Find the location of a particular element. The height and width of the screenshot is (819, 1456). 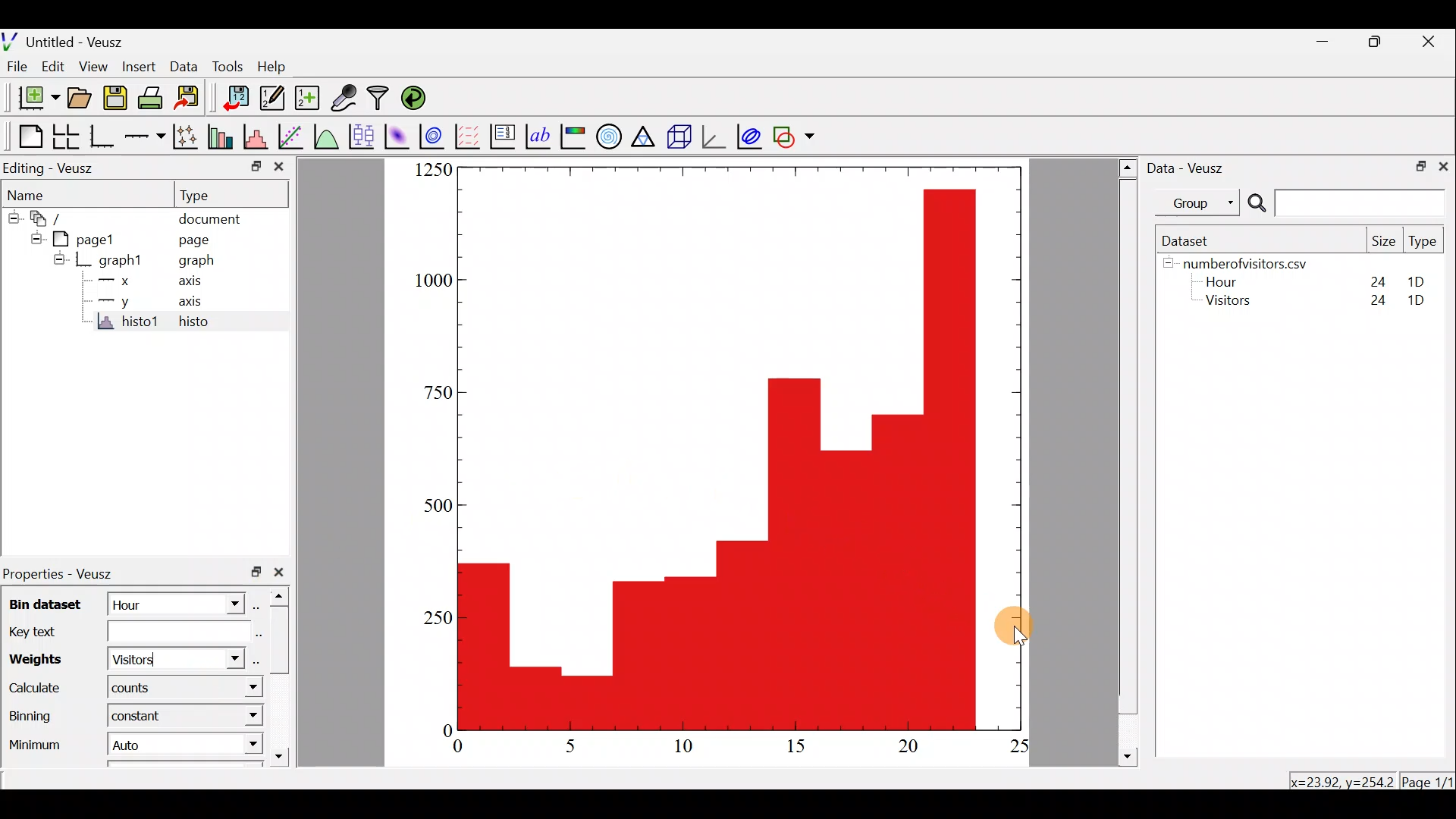

document is located at coordinates (214, 218).